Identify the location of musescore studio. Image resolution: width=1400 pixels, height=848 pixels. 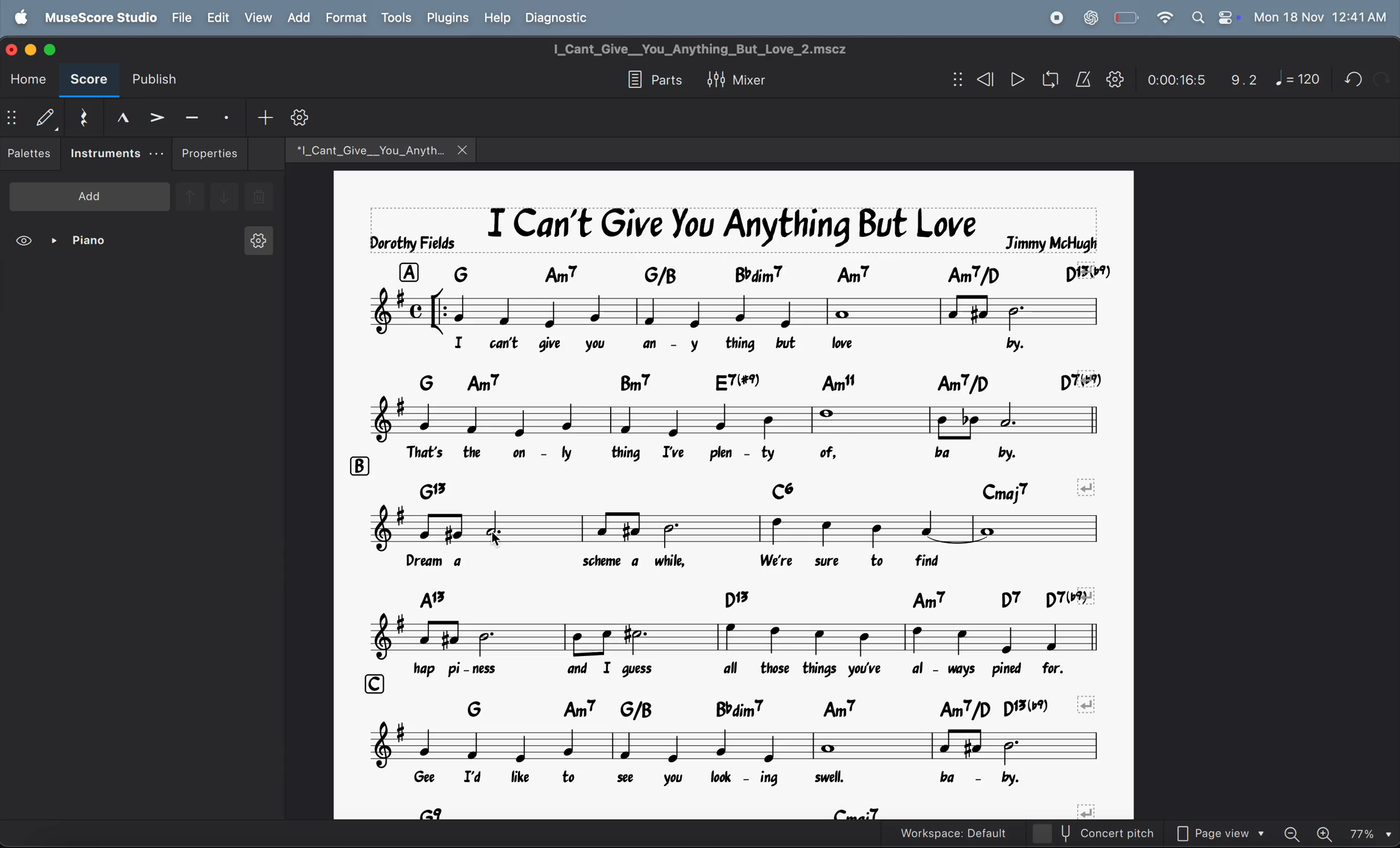
(103, 18).